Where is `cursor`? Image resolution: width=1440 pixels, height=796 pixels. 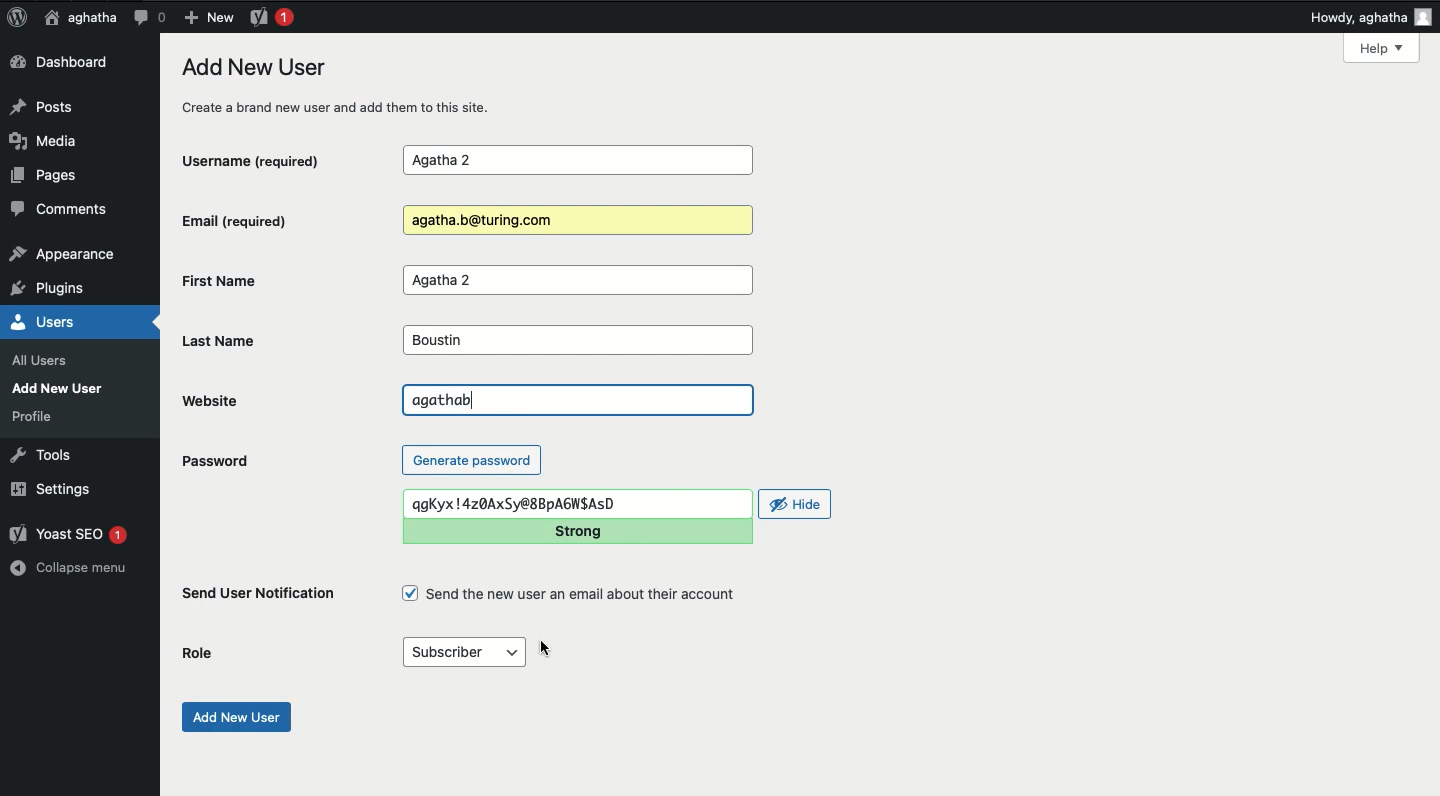 cursor is located at coordinates (548, 645).